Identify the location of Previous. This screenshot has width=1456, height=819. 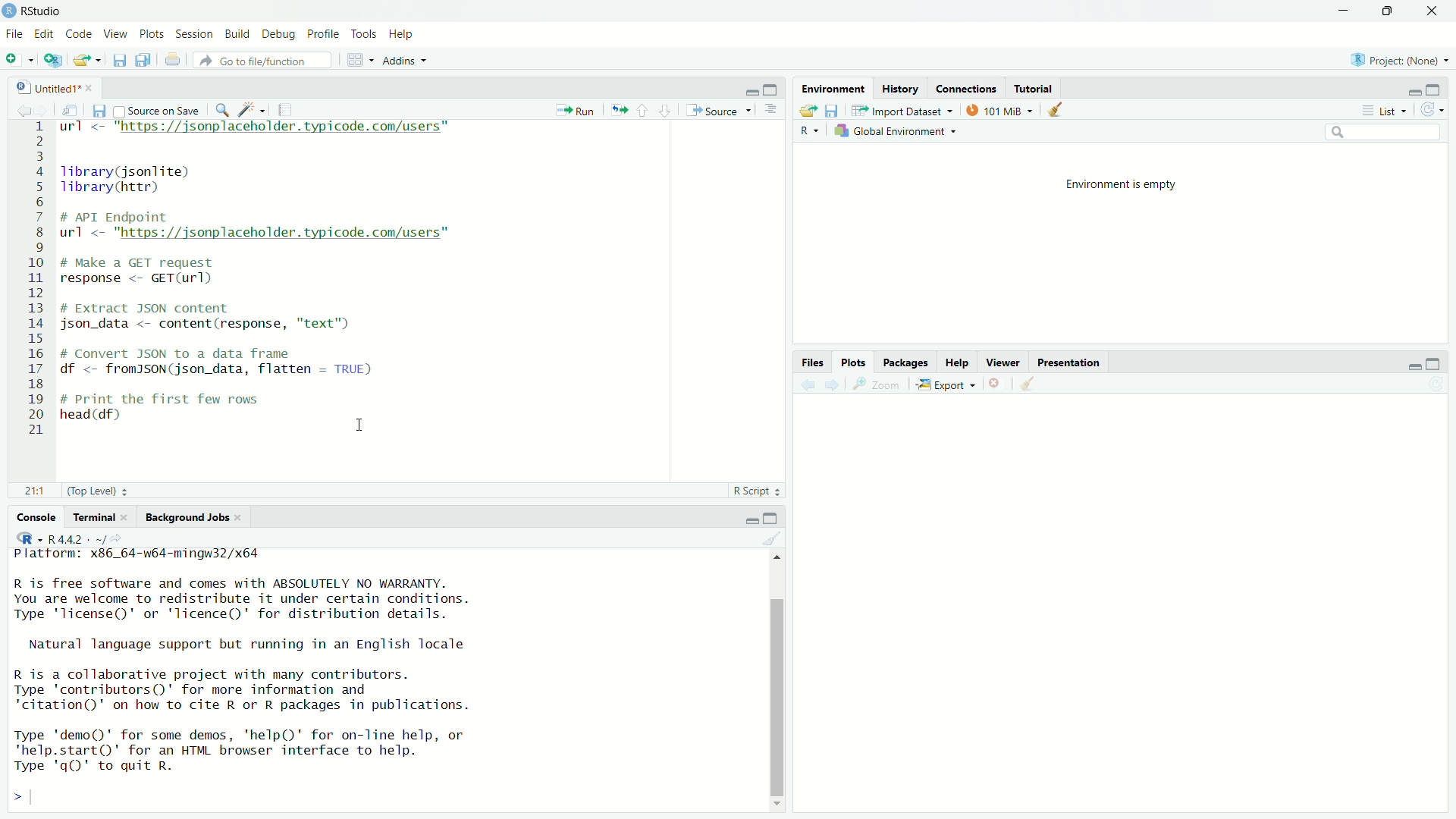
(807, 388).